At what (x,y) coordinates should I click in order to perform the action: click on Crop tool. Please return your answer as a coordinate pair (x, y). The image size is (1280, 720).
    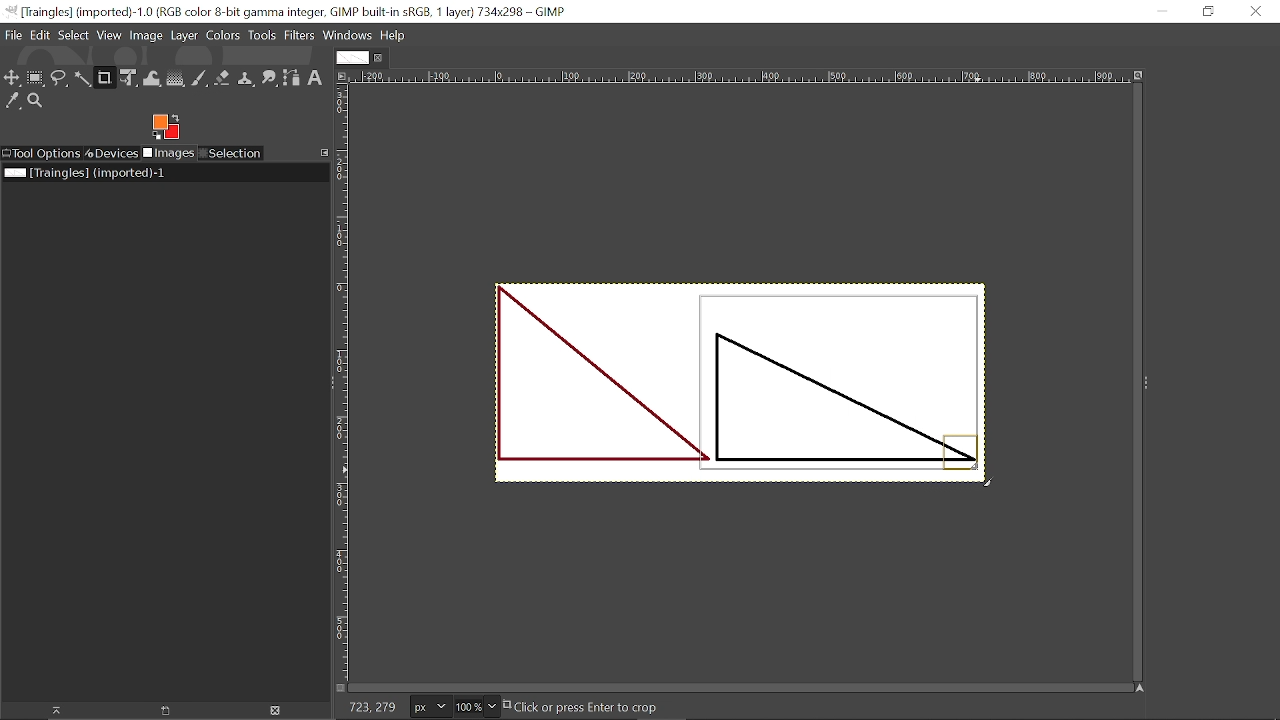
    Looking at the image, I should click on (105, 79).